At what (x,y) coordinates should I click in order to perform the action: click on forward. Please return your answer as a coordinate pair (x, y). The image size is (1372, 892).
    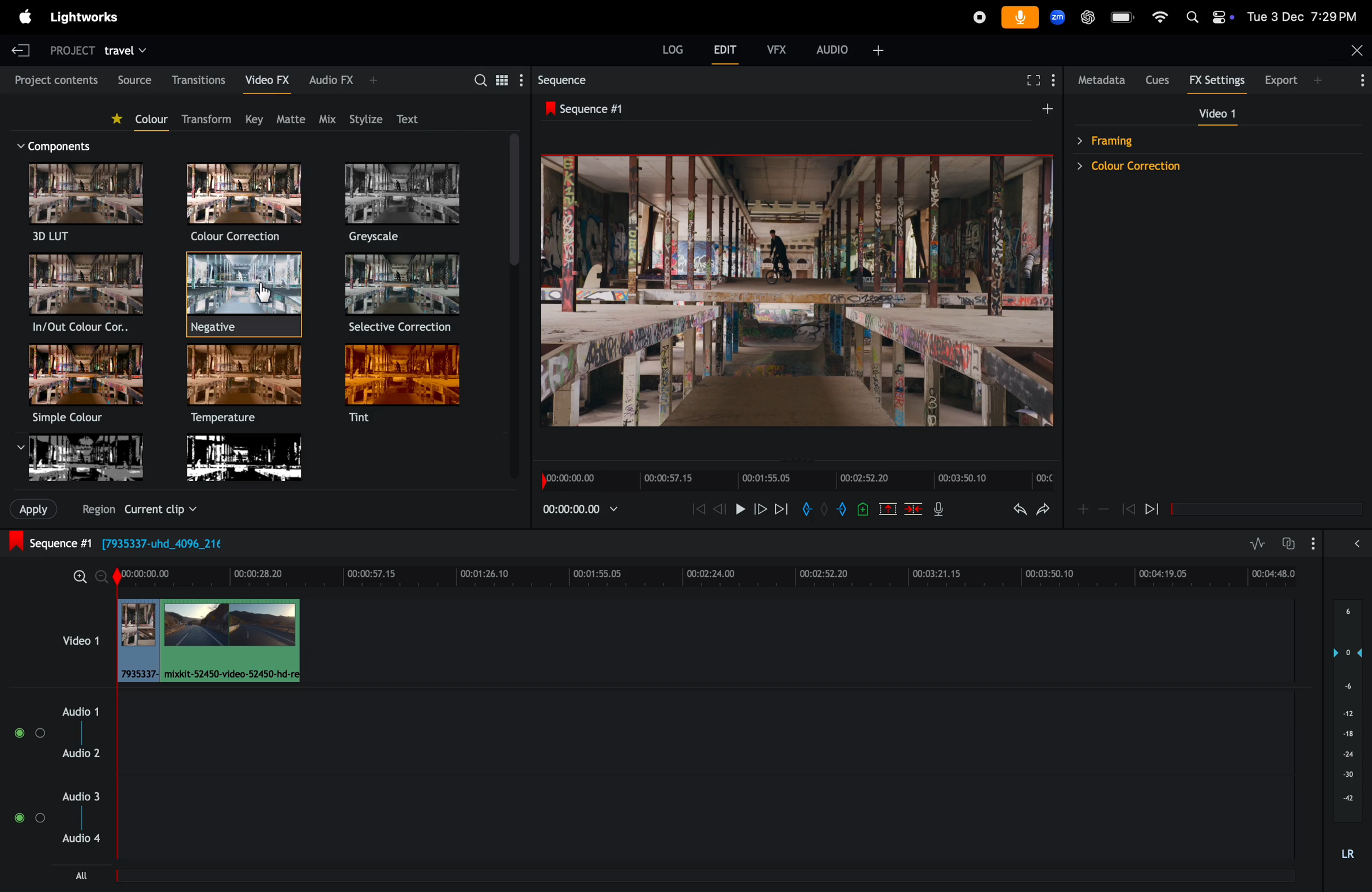
    Looking at the image, I should click on (757, 511).